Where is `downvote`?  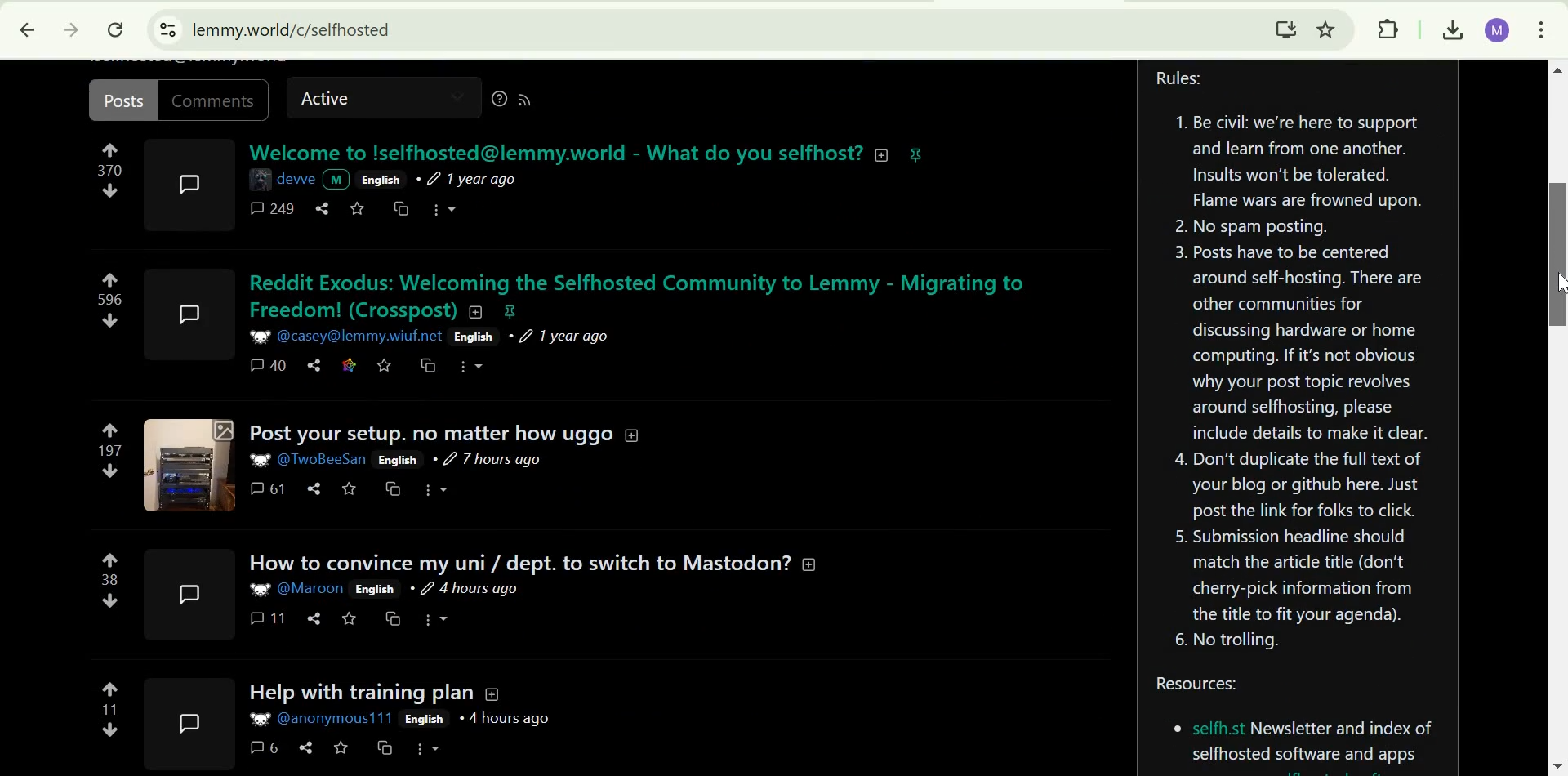 downvote is located at coordinates (109, 730).